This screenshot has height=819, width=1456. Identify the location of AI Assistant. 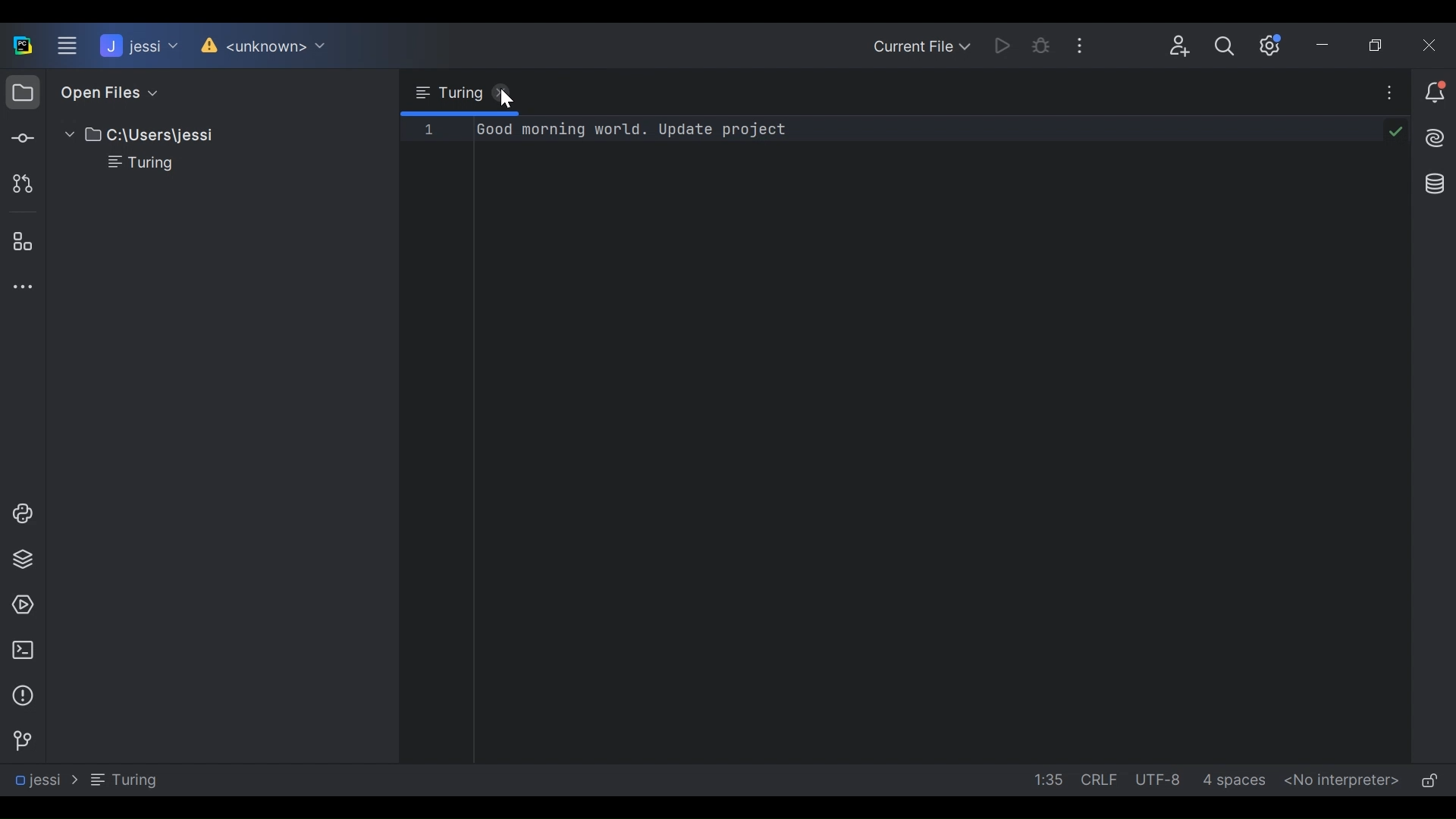
(1433, 136).